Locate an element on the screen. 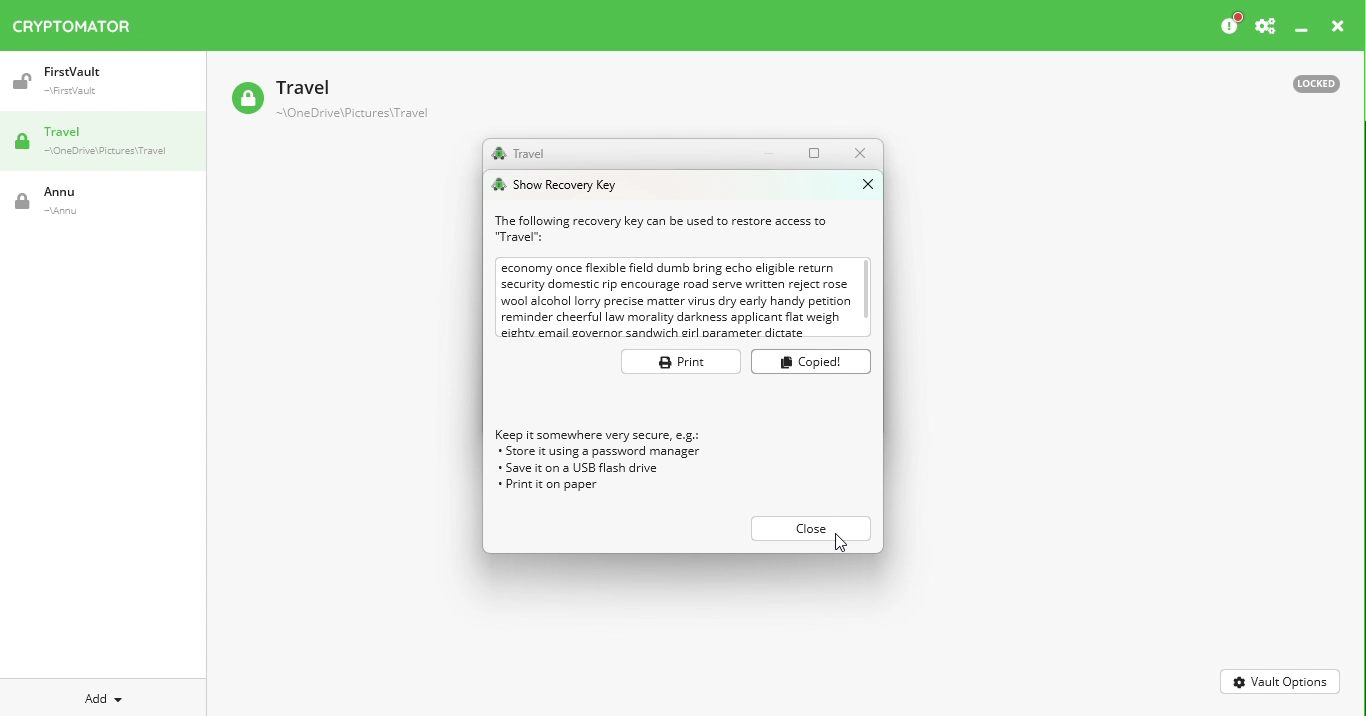  Recovery text information is located at coordinates (664, 228).